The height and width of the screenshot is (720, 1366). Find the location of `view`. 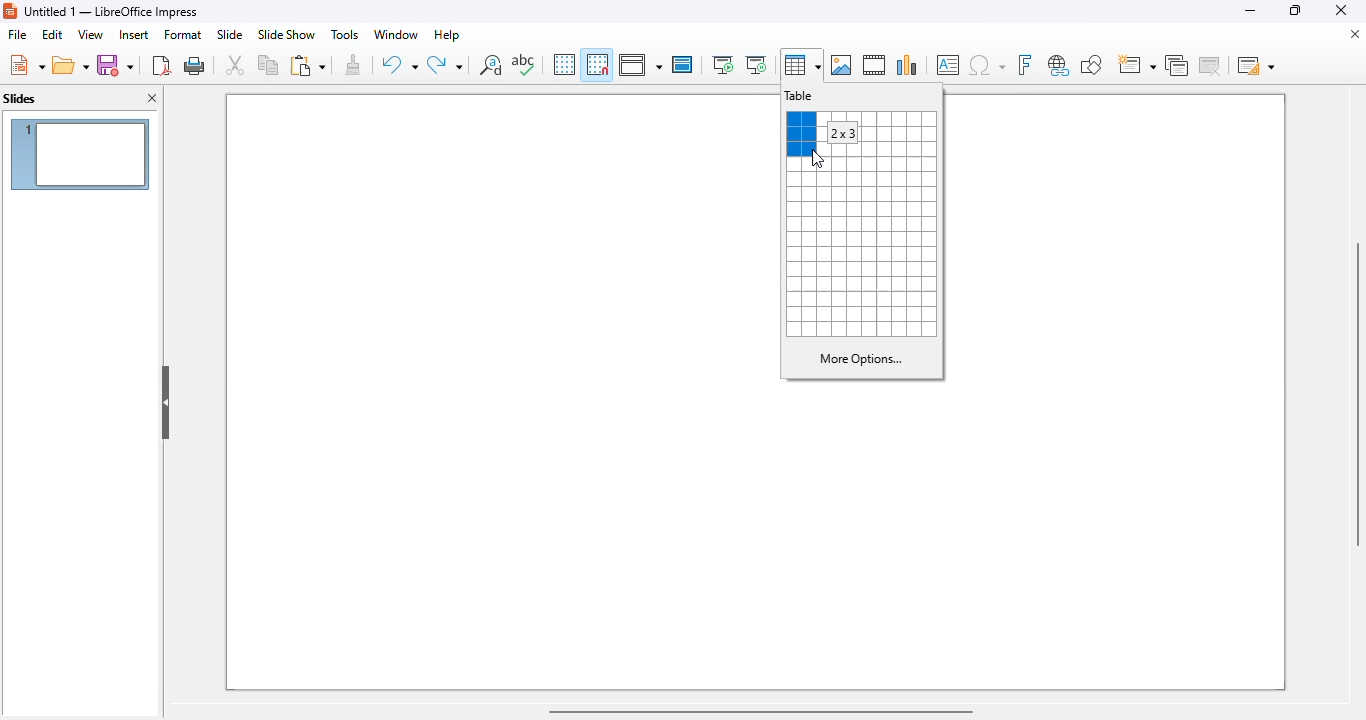

view is located at coordinates (640, 65).